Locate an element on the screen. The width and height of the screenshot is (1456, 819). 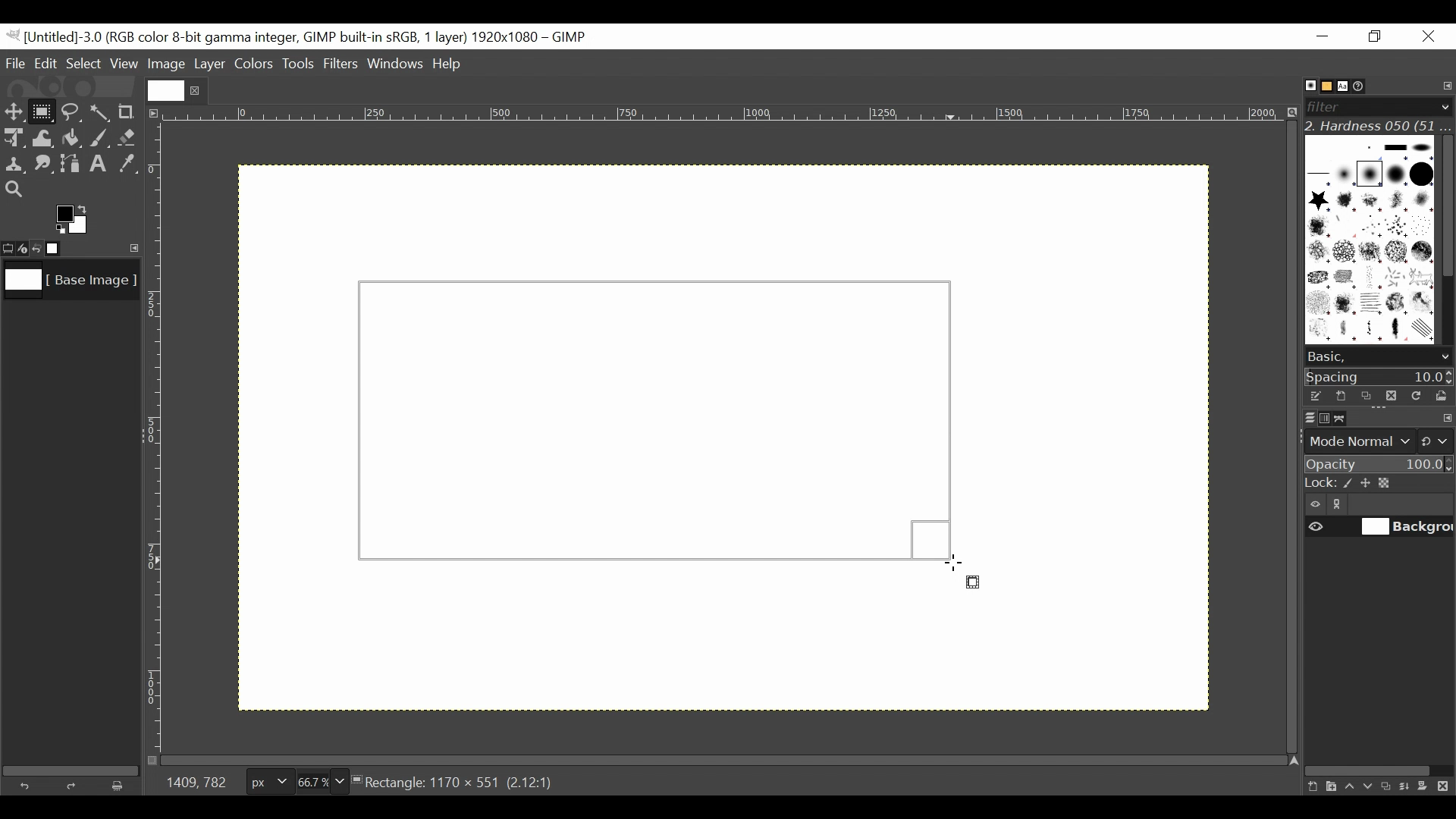
Image is located at coordinates (166, 64).